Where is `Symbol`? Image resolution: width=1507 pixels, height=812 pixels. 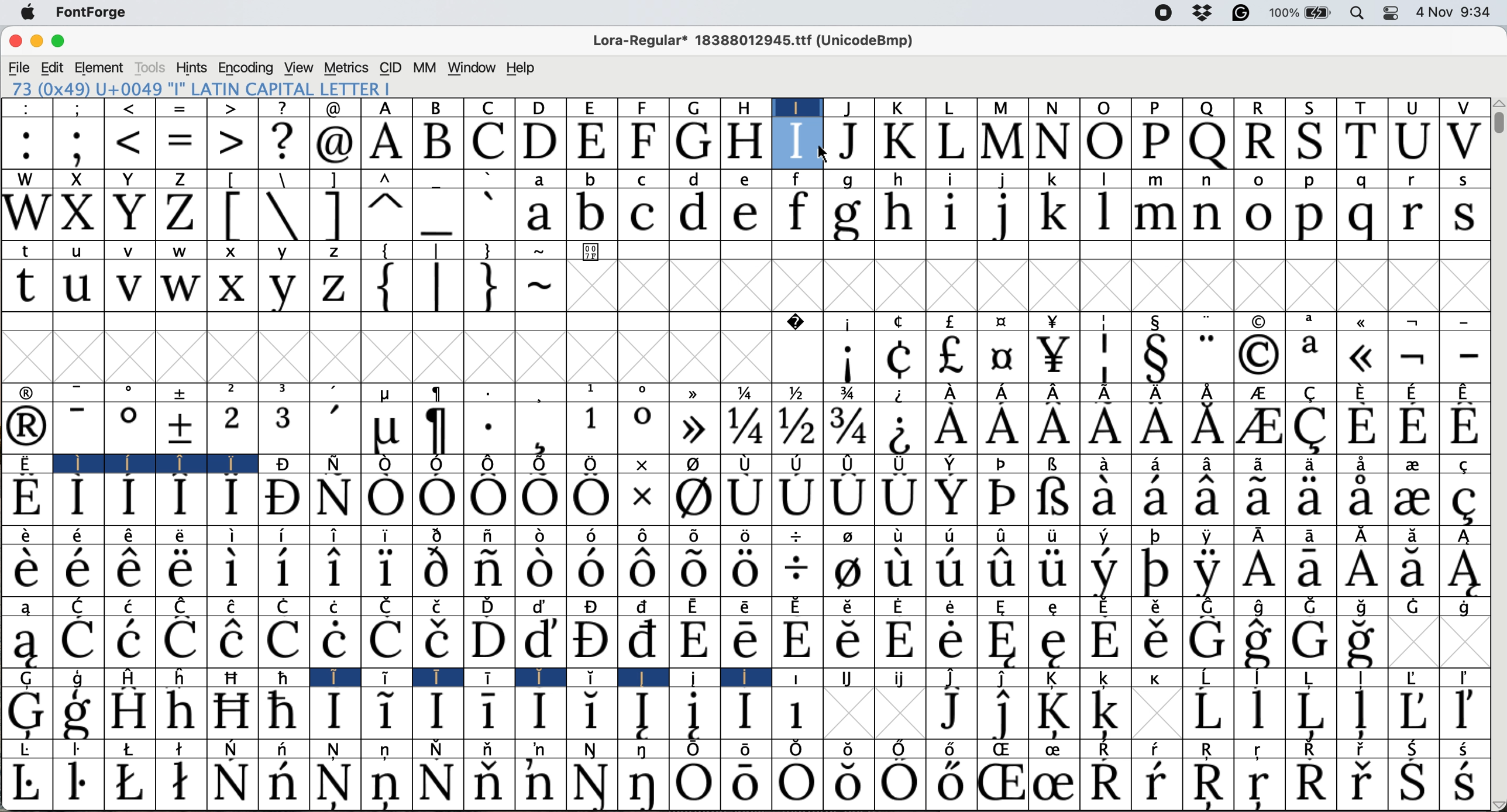 Symbol is located at coordinates (390, 605).